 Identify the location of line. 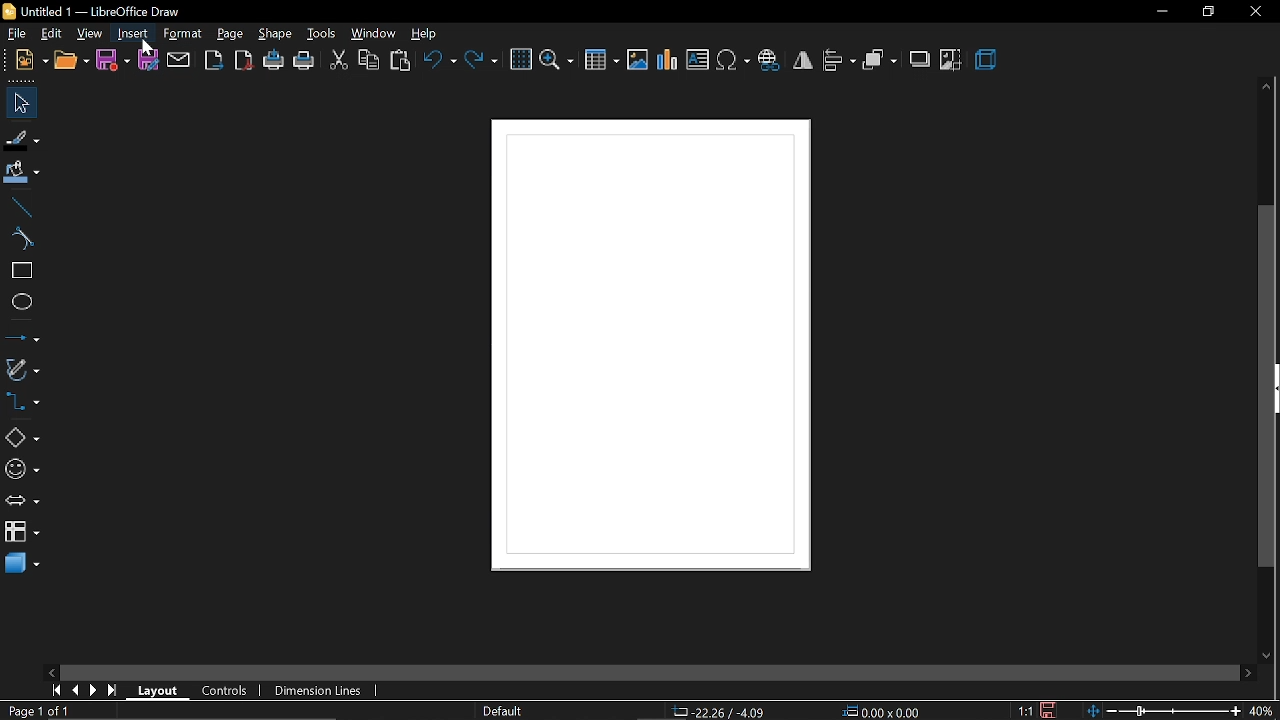
(18, 206).